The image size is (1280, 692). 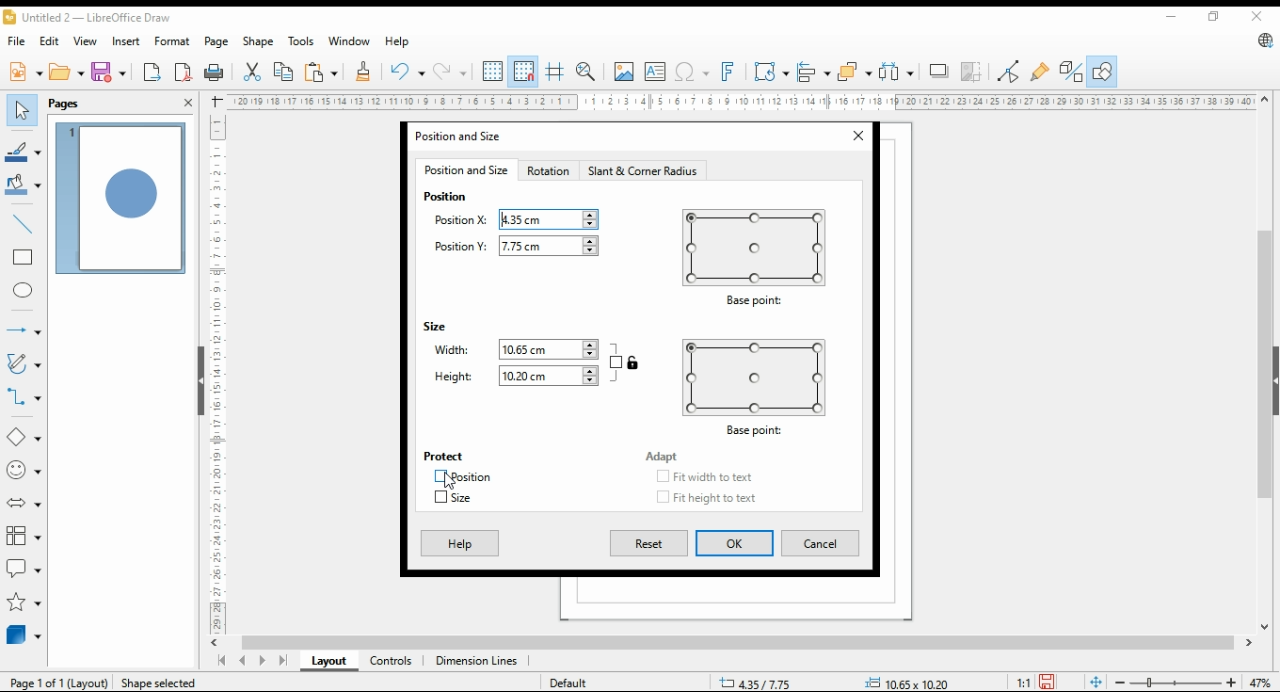 What do you see at coordinates (27, 71) in the screenshot?
I see `new` at bounding box center [27, 71].